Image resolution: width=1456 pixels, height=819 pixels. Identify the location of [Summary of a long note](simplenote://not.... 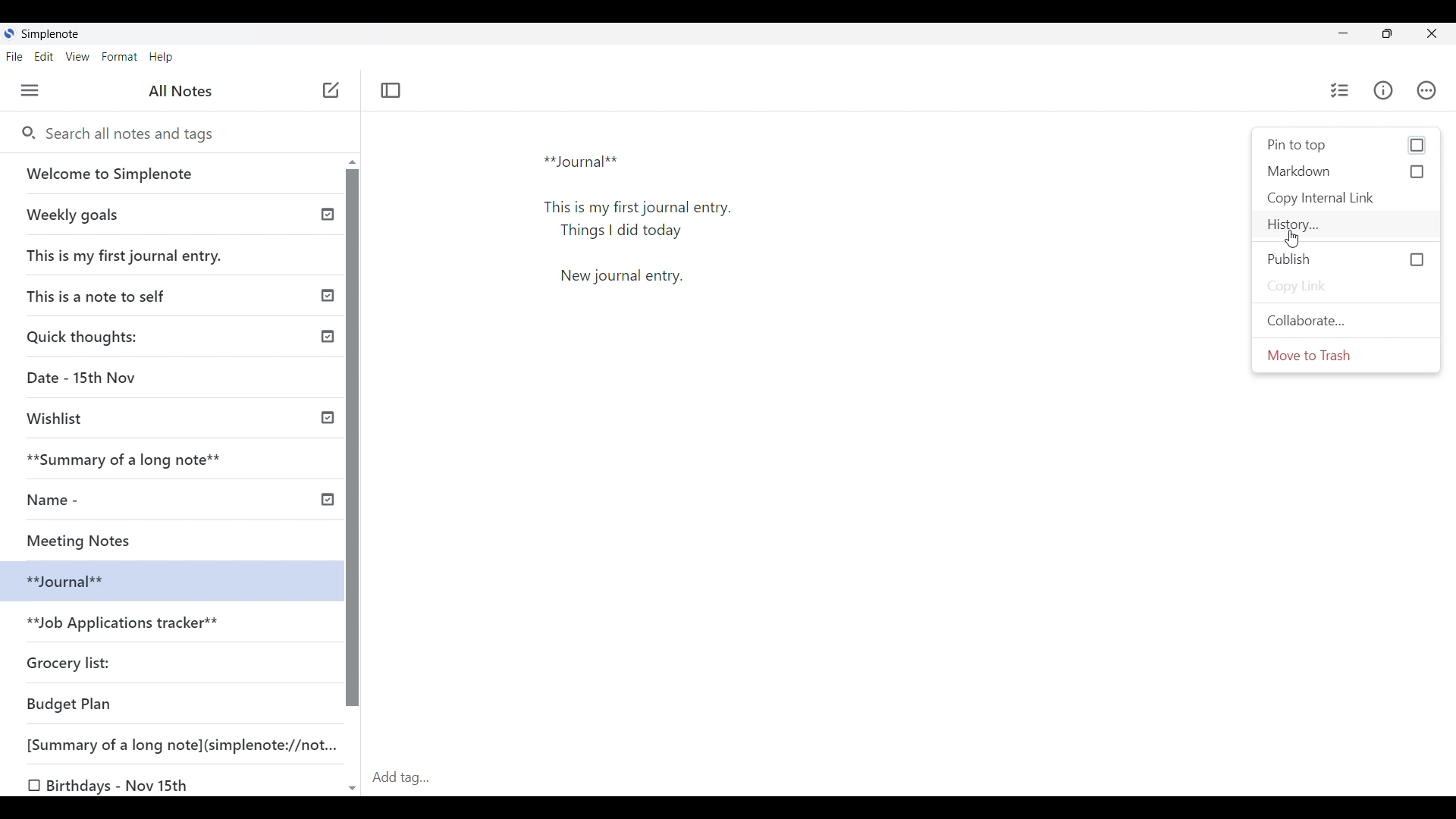
(189, 744).